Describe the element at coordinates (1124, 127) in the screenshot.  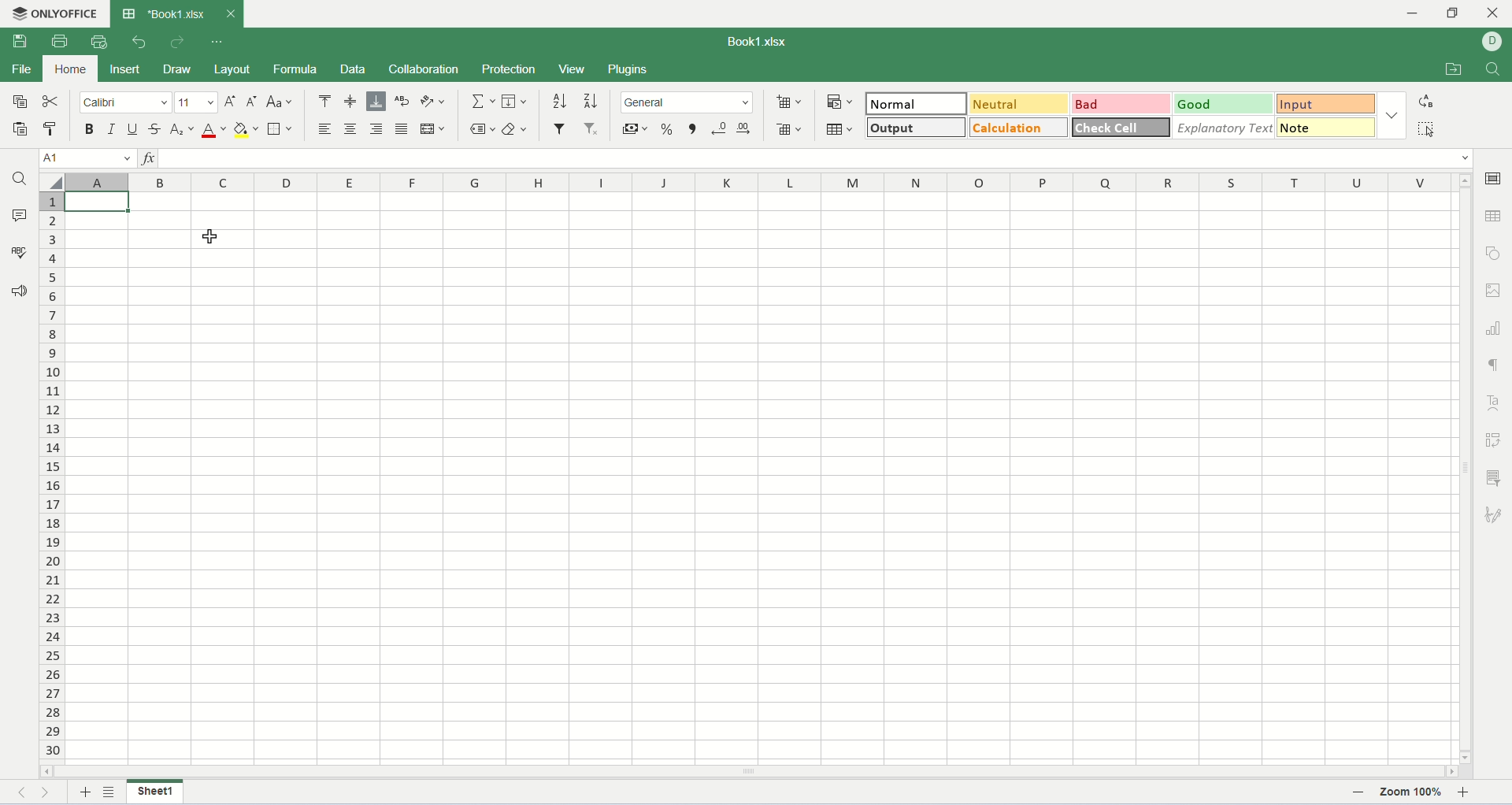
I see `check cell` at that location.